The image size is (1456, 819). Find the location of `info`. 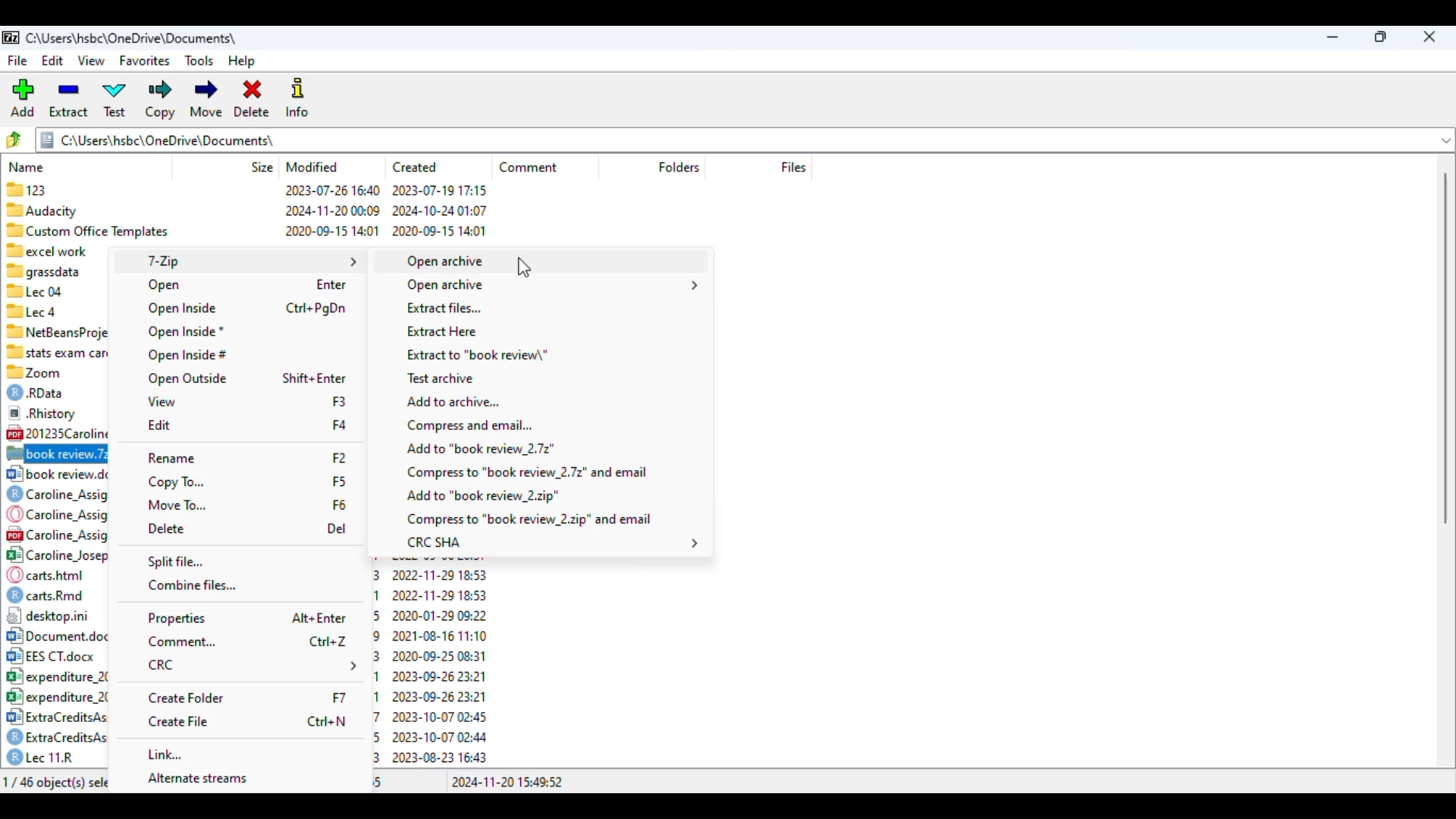

info is located at coordinates (297, 96).